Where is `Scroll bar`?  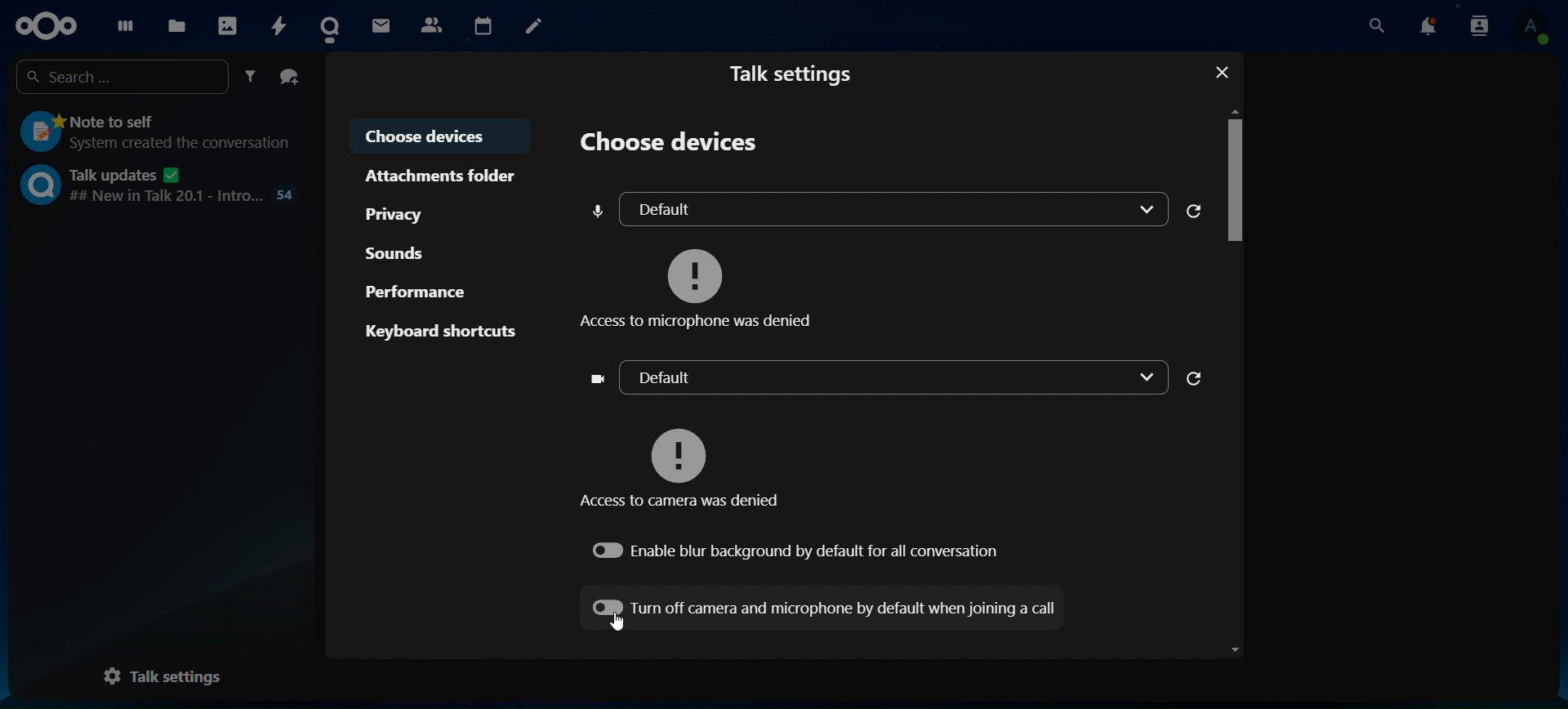 Scroll bar is located at coordinates (1235, 381).